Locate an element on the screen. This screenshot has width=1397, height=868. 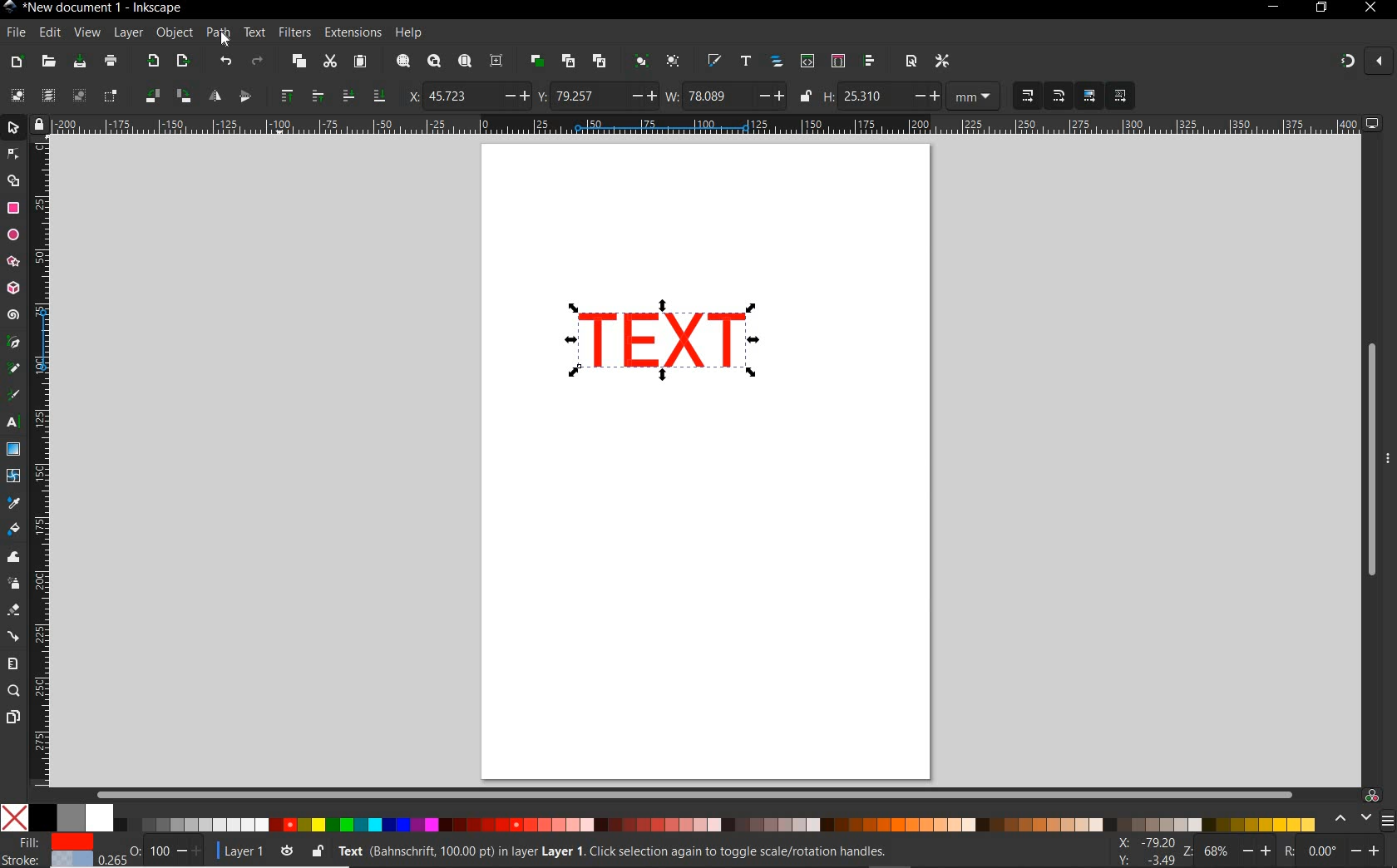
COPY is located at coordinates (299, 62).